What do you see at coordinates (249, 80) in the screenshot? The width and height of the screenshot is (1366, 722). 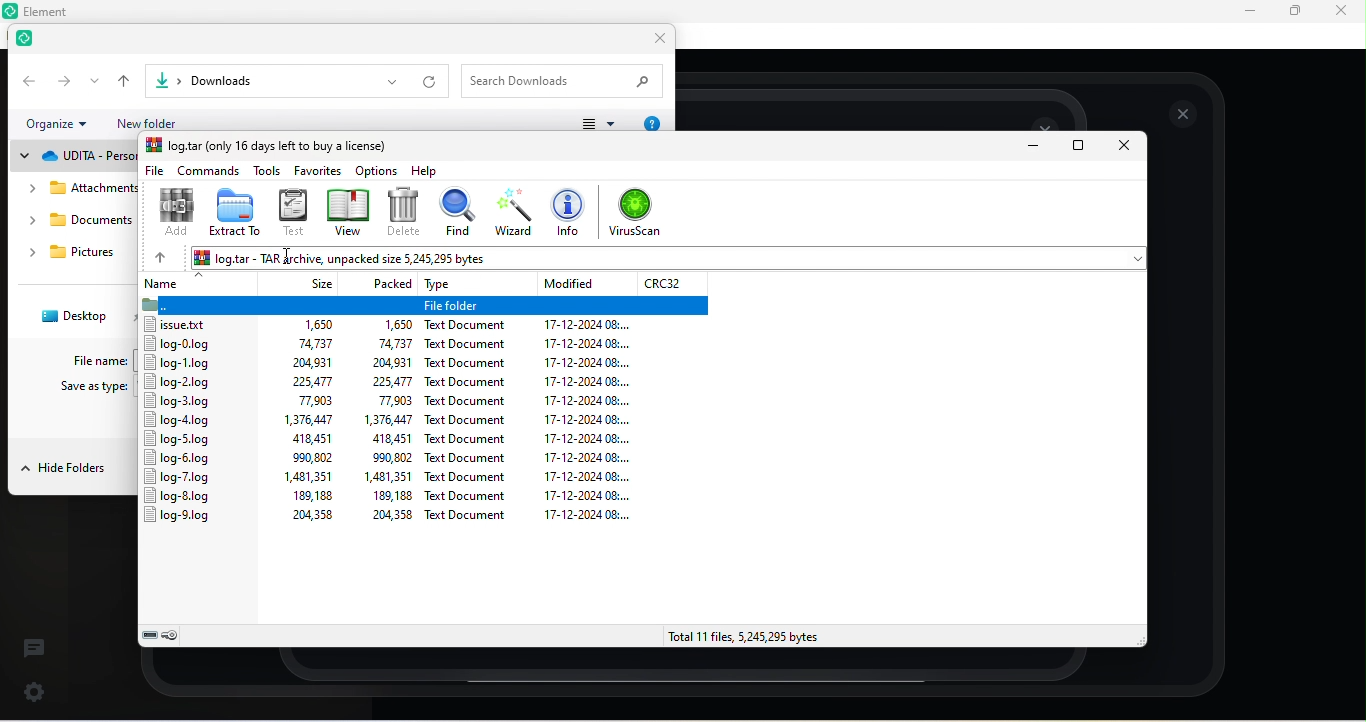 I see `file path` at bounding box center [249, 80].